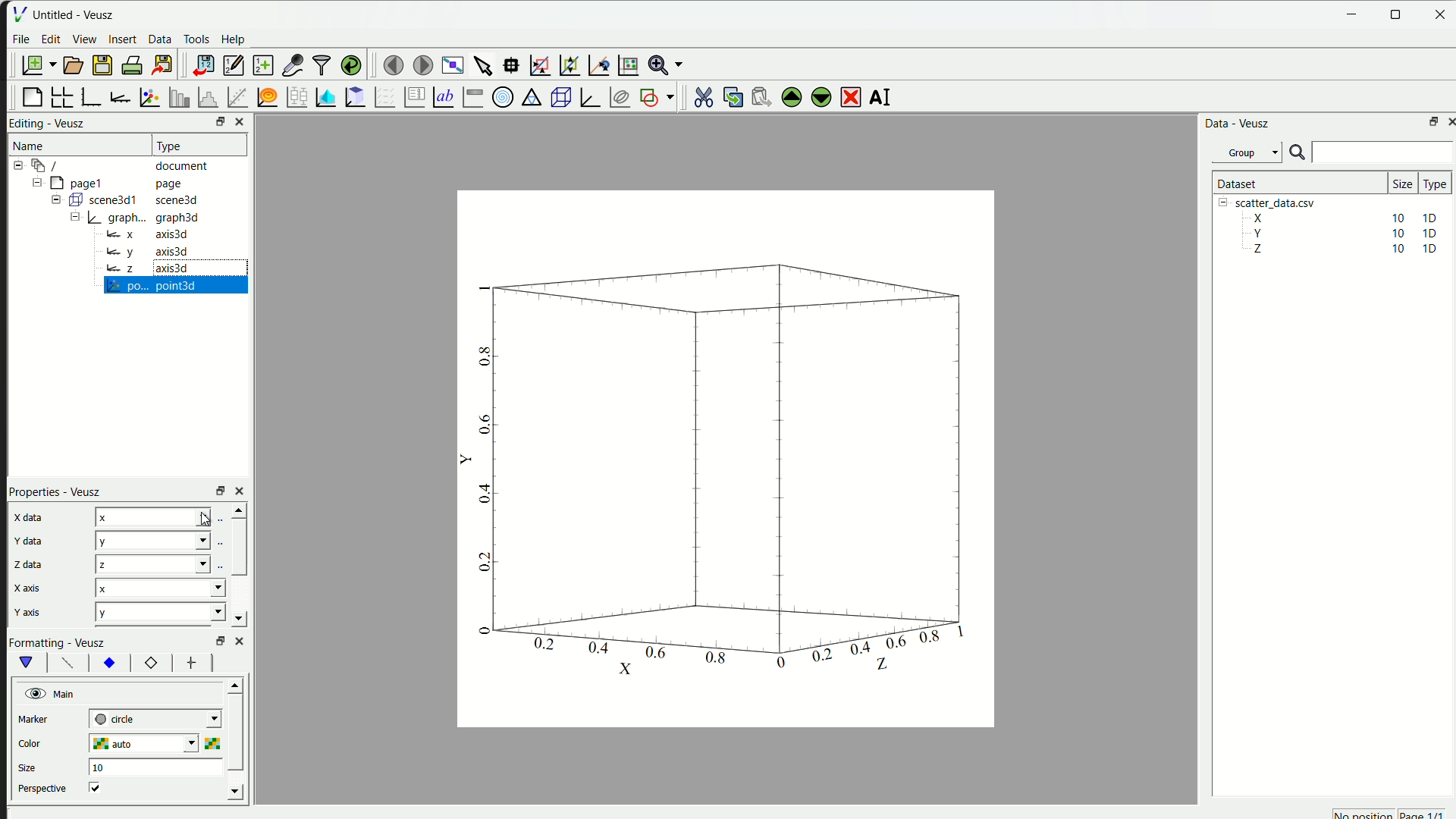 Image resolution: width=1456 pixels, height=819 pixels. What do you see at coordinates (161, 591) in the screenshot?
I see `x` at bounding box center [161, 591].